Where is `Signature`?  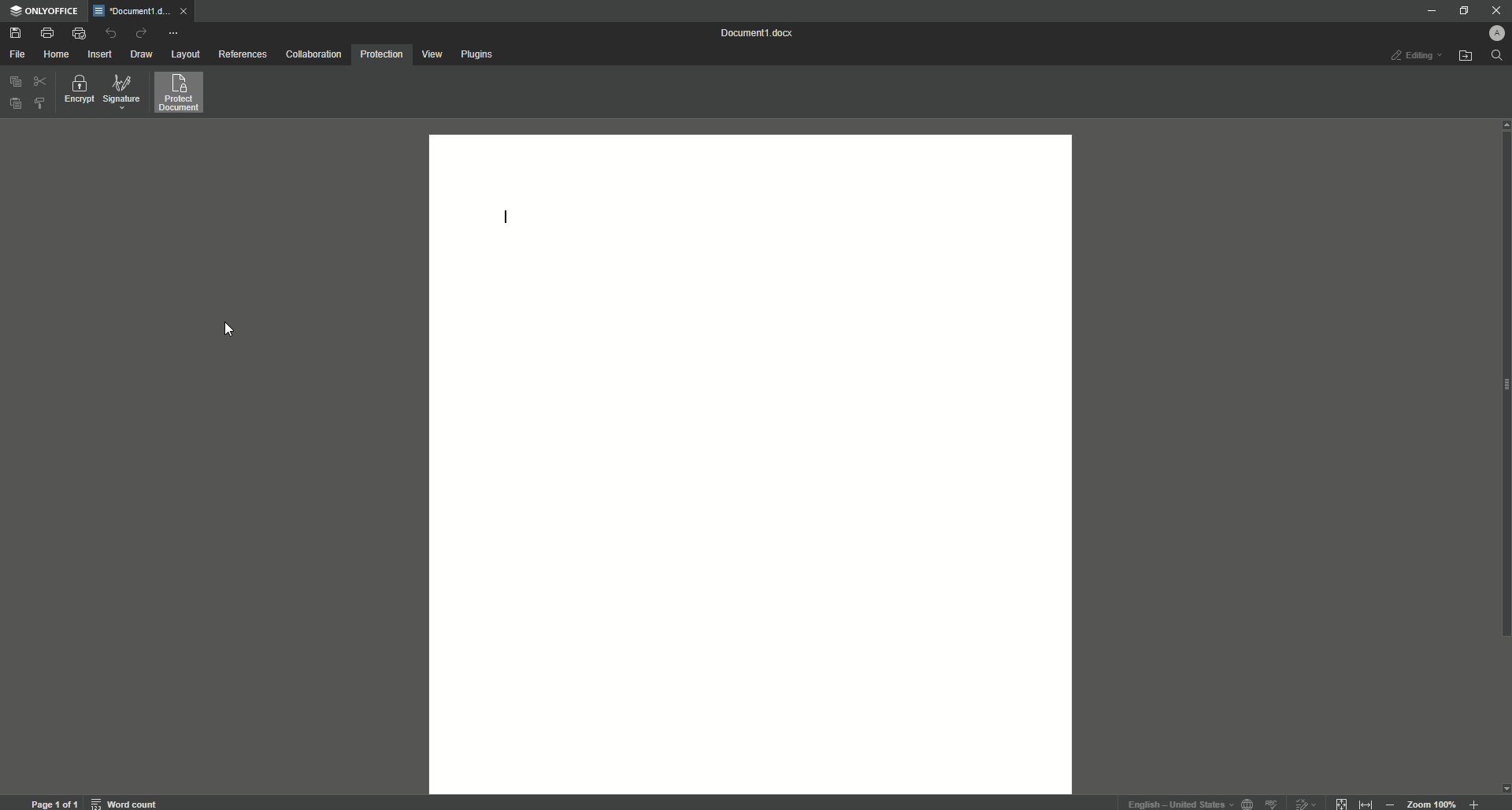 Signature is located at coordinates (124, 93).